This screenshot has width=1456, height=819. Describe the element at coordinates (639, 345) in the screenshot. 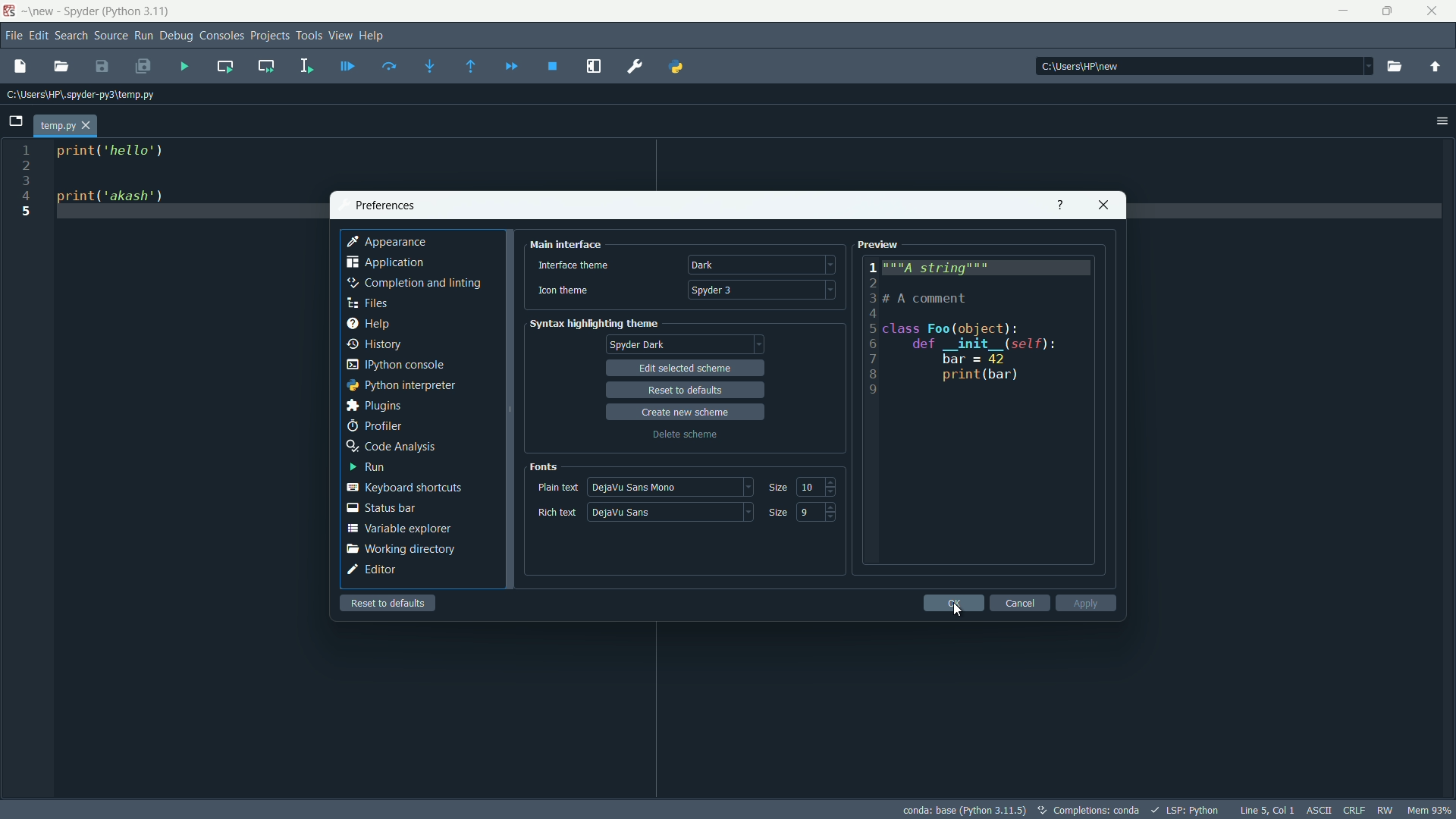

I see `spyder dark` at that location.